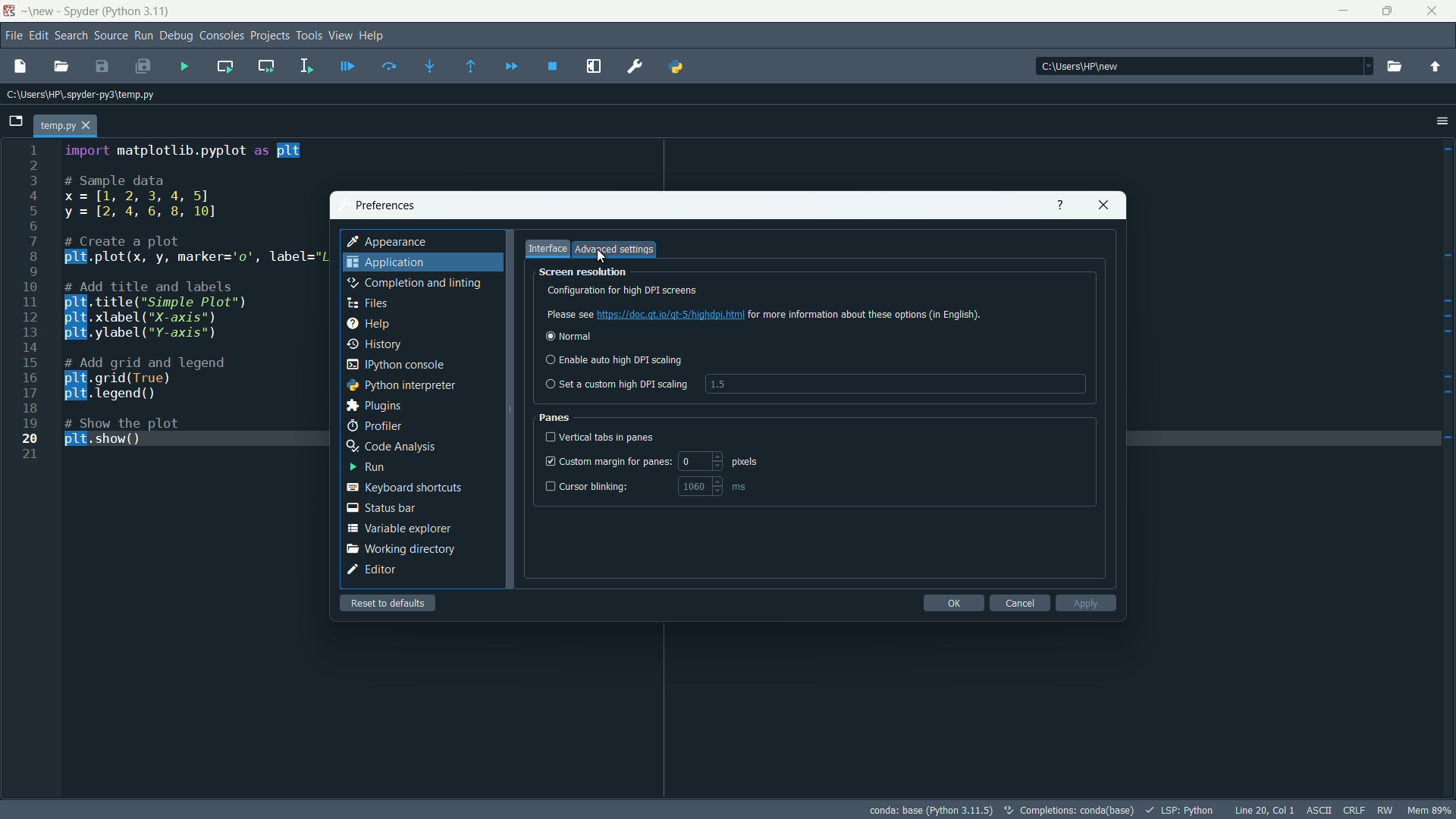 This screenshot has width=1456, height=819. I want to click on Screen resolution, so click(586, 272).